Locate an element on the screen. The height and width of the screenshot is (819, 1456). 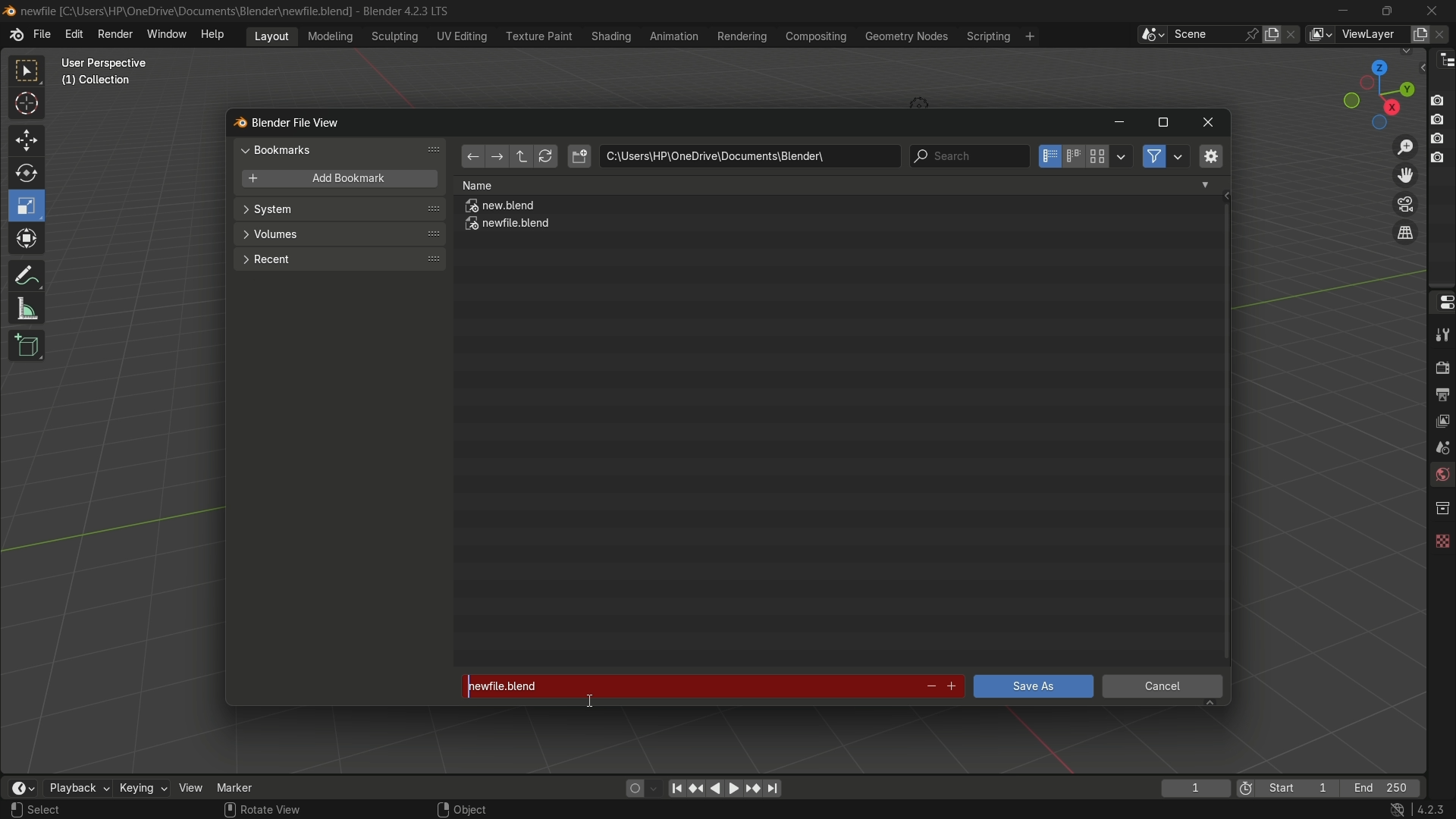
modeling menu is located at coordinates (331, 35).